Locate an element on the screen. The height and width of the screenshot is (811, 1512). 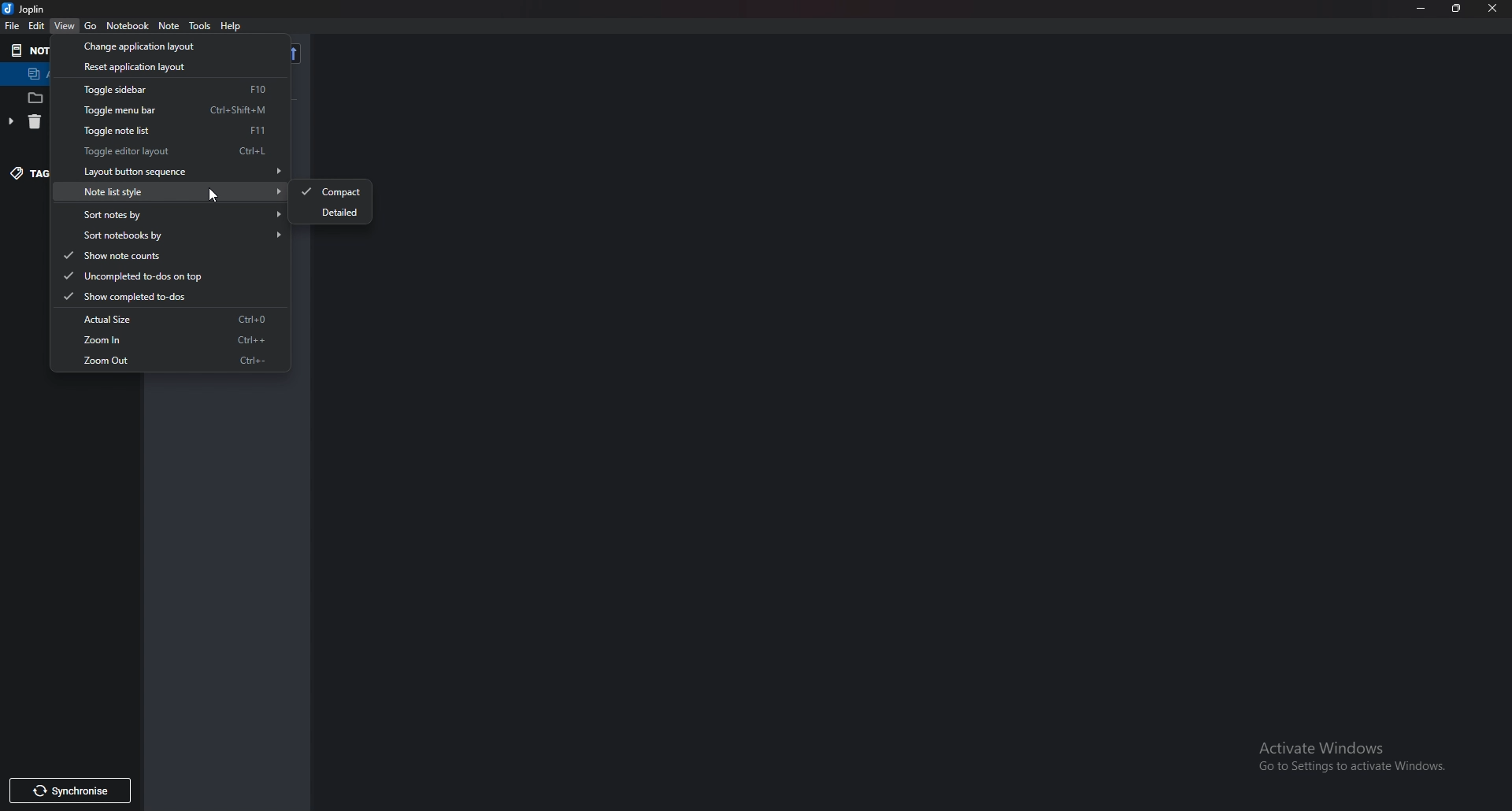
view is located at coordinates (68, 24).